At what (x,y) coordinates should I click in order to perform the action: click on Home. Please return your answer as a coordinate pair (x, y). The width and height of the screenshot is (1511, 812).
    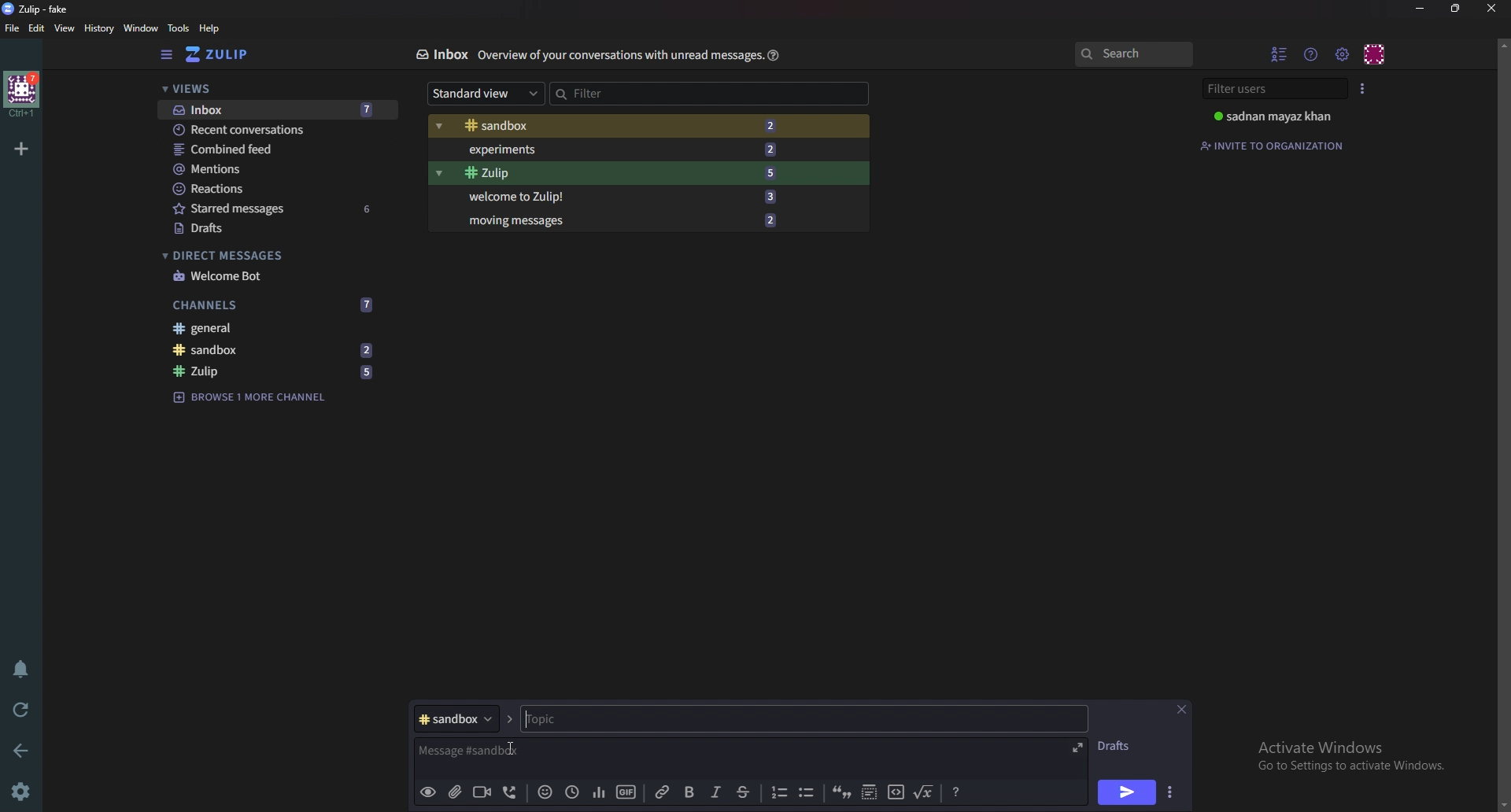
    Looking at the image, I should click on (23, 94).